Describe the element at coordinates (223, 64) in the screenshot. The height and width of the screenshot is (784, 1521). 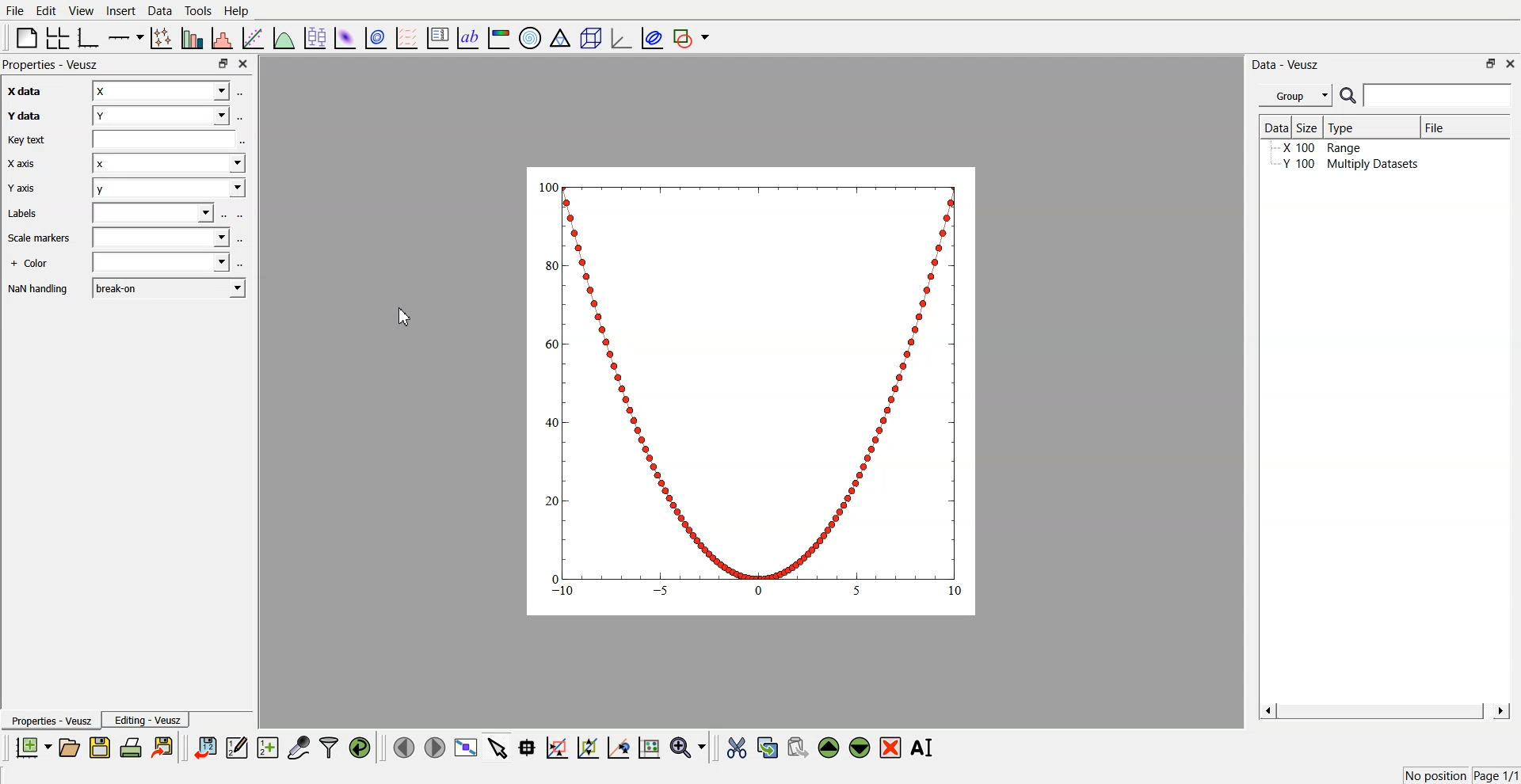
I see `minimise or maximise` at that location.